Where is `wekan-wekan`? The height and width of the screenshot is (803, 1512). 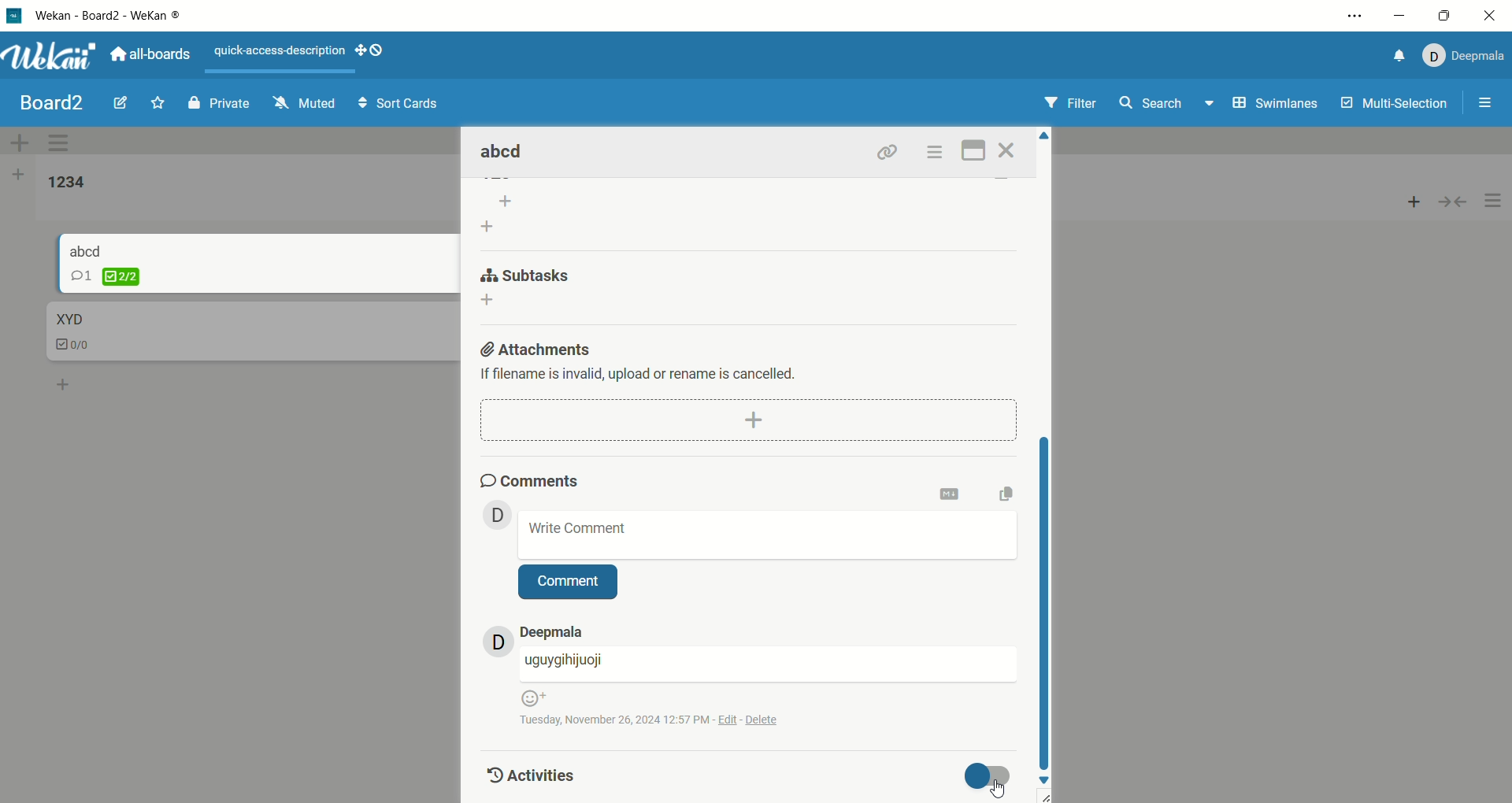 wekan-wekan is located at coordinates (108, 17).